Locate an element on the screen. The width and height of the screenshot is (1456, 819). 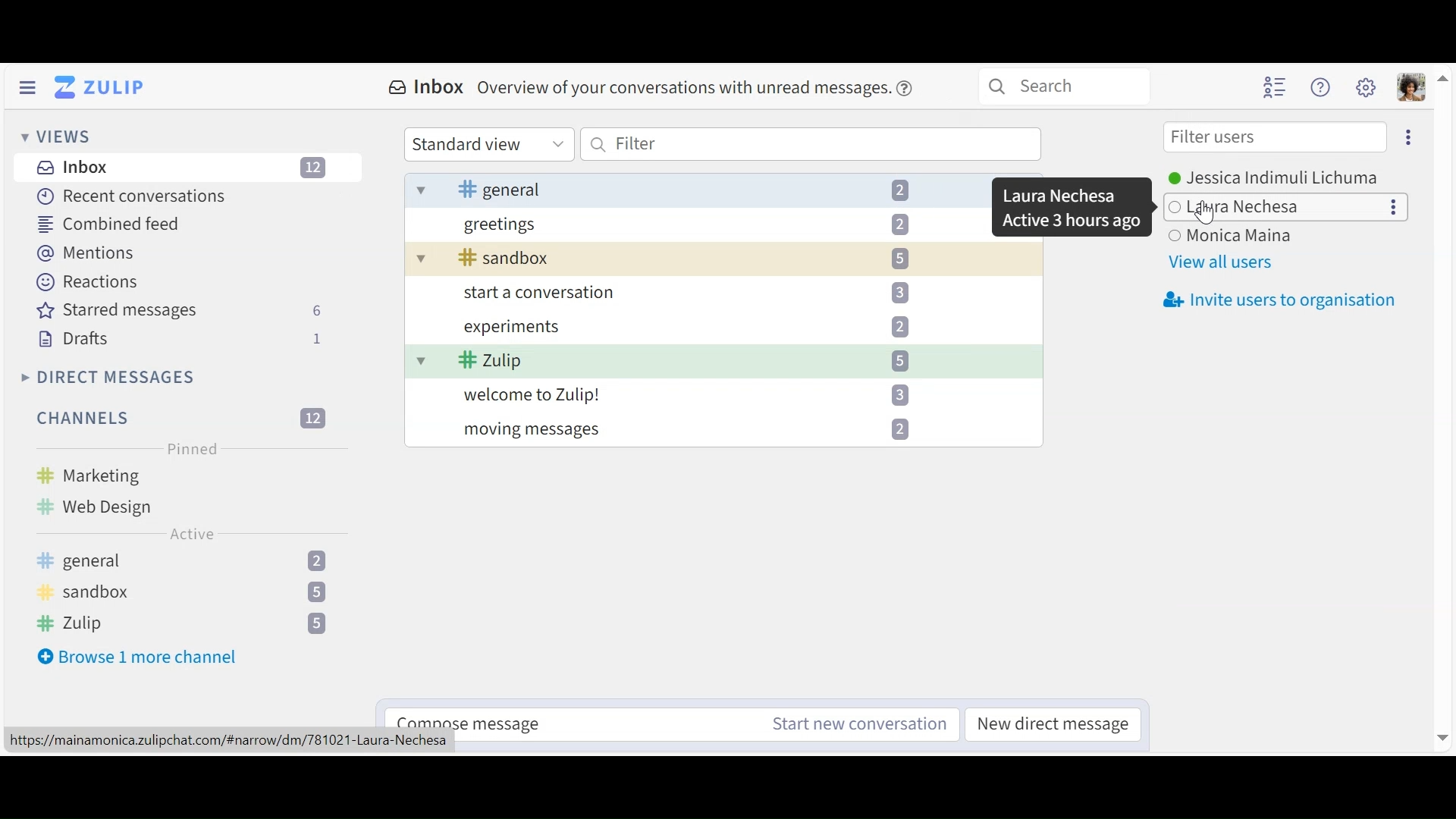
sandbox is located at coordinates (182, 593).